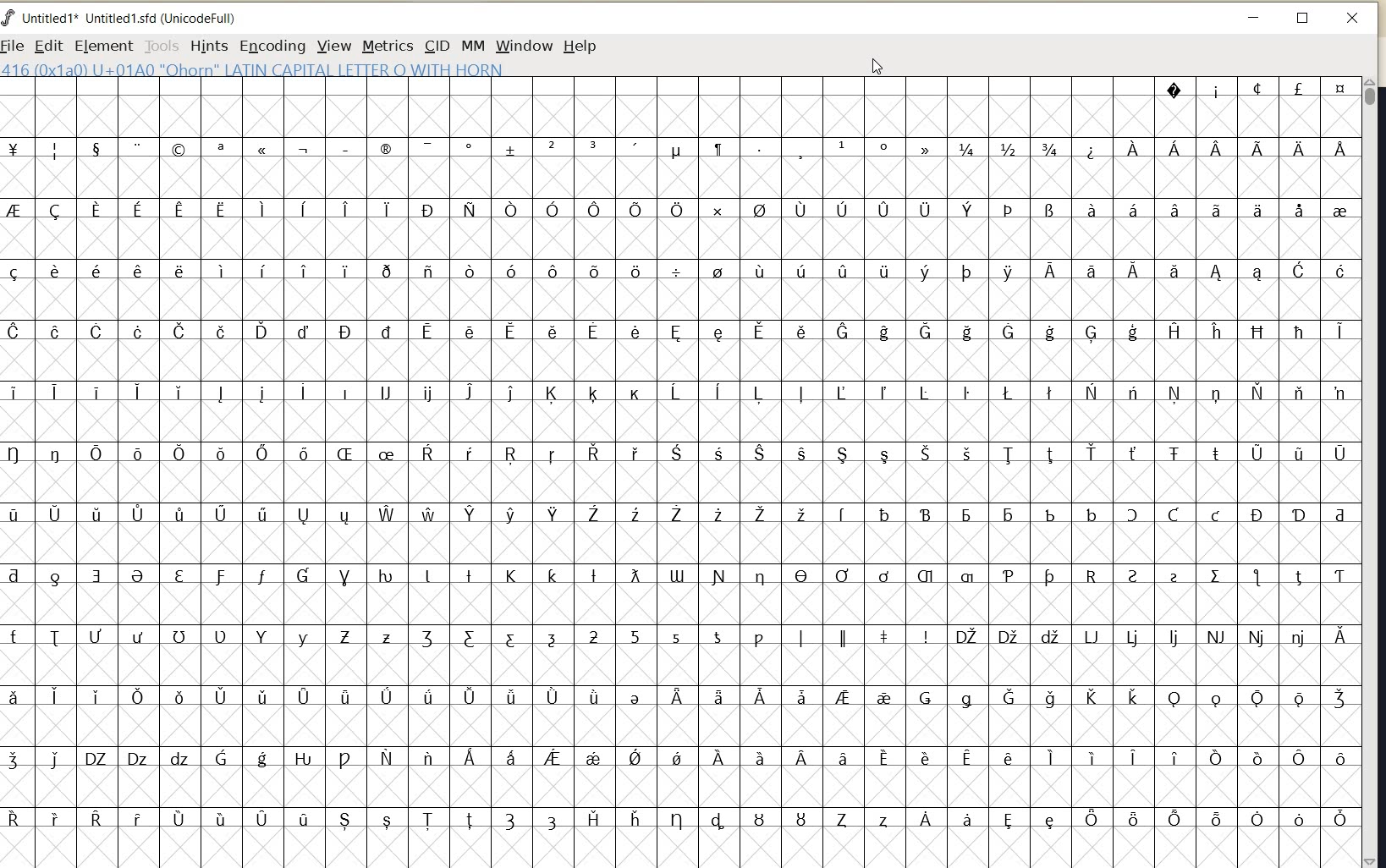 This screenshot has height=868, width=1386. I want to click on WINDOW, so click(525, 46).